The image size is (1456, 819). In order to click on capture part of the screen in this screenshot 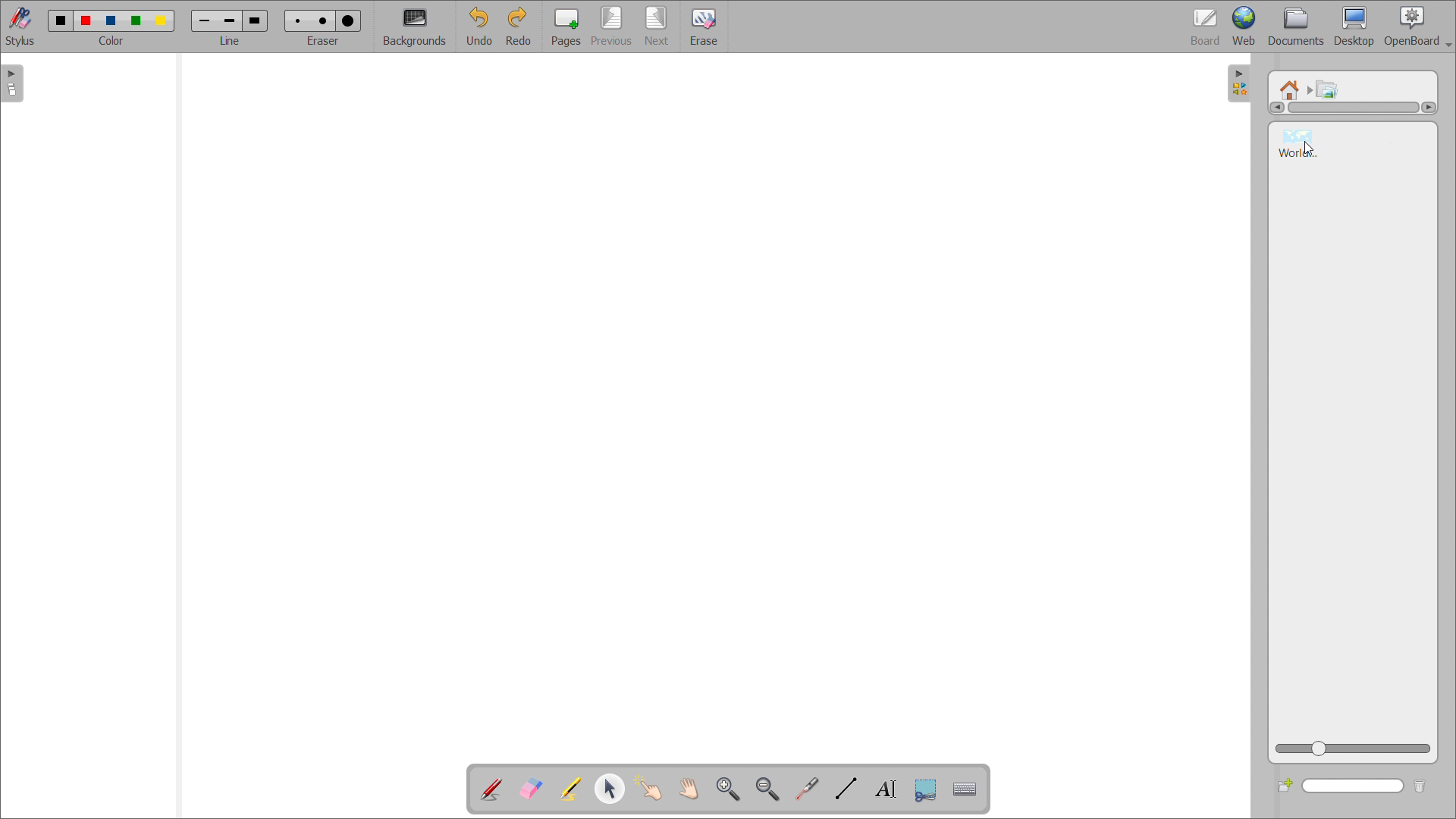, I will do `click(927, 789)`.